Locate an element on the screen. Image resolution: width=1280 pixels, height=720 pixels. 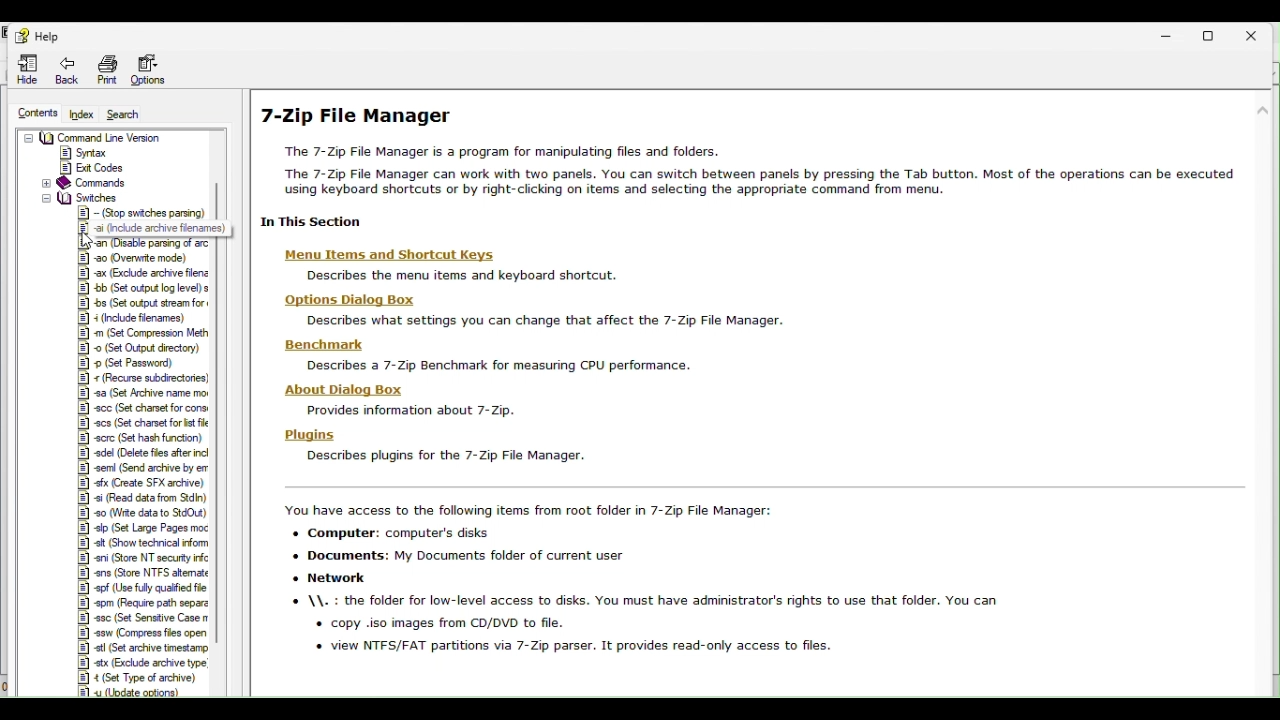
Menu Items and Shortcut Keys is located at coordinates (392, 255).